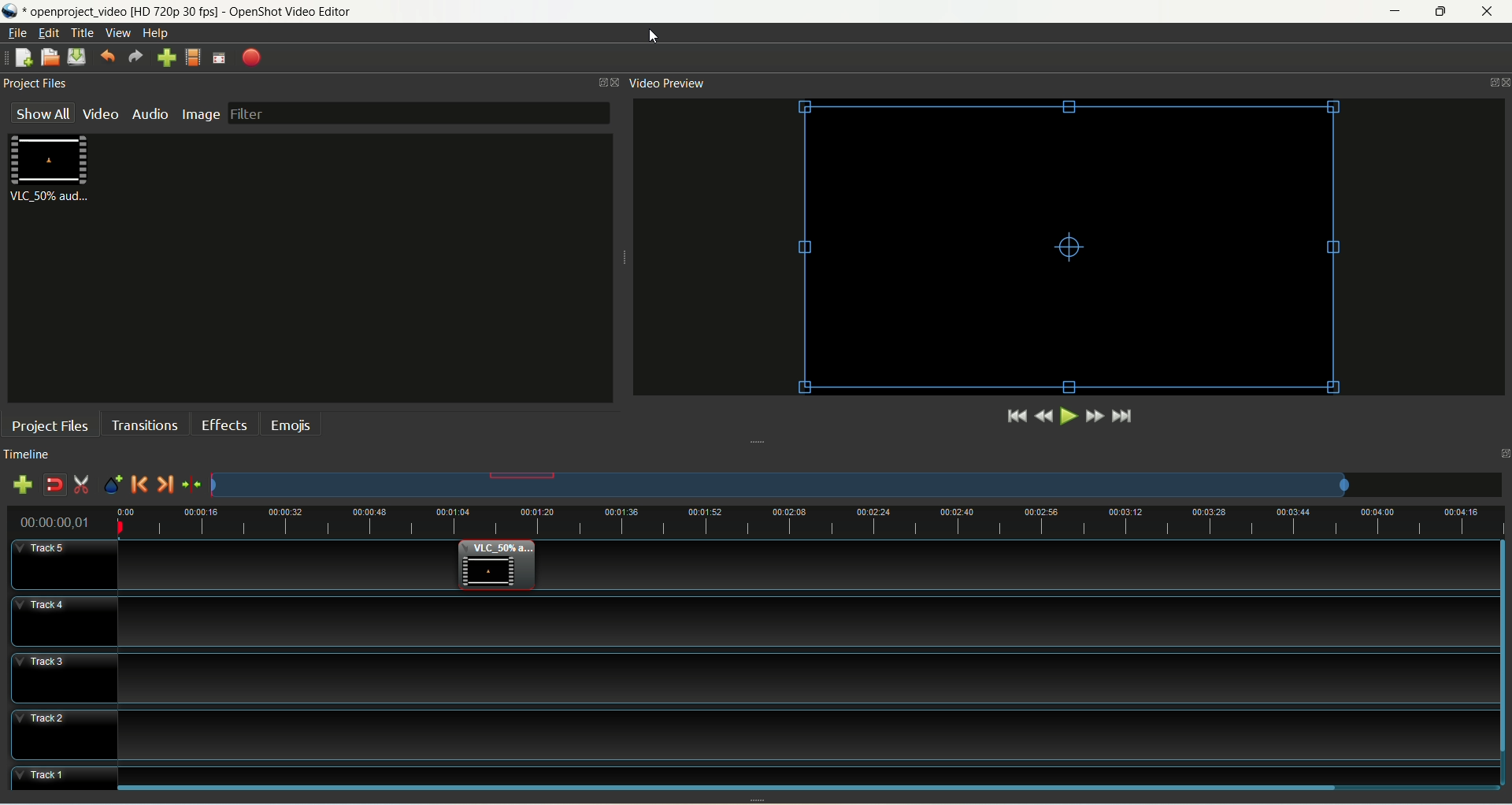  Describe the element at coordinates (48, 425) in the screenshot. I see `project files` at that location.